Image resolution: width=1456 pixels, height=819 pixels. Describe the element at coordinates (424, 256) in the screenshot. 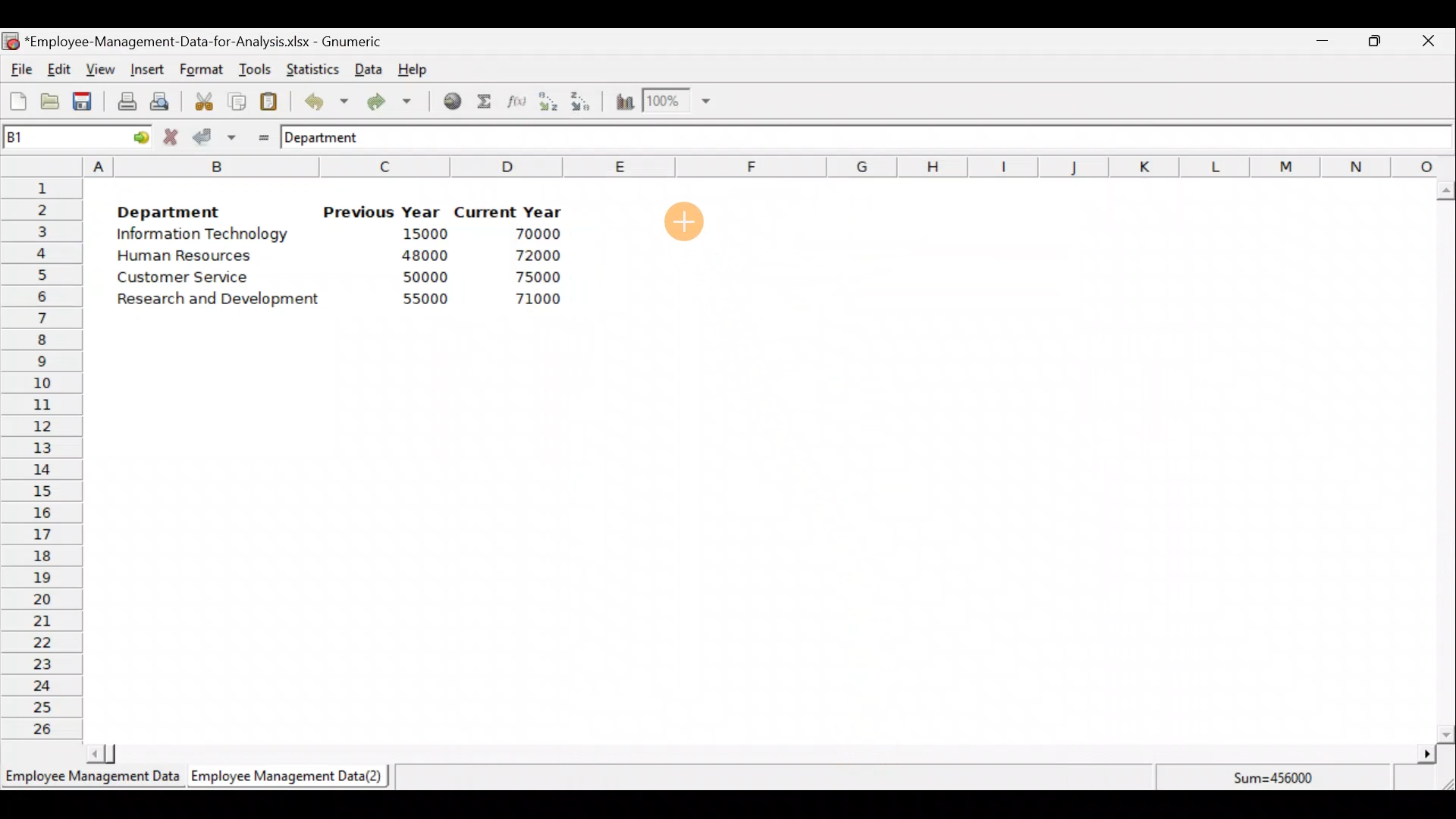

I see `48000` at that location.